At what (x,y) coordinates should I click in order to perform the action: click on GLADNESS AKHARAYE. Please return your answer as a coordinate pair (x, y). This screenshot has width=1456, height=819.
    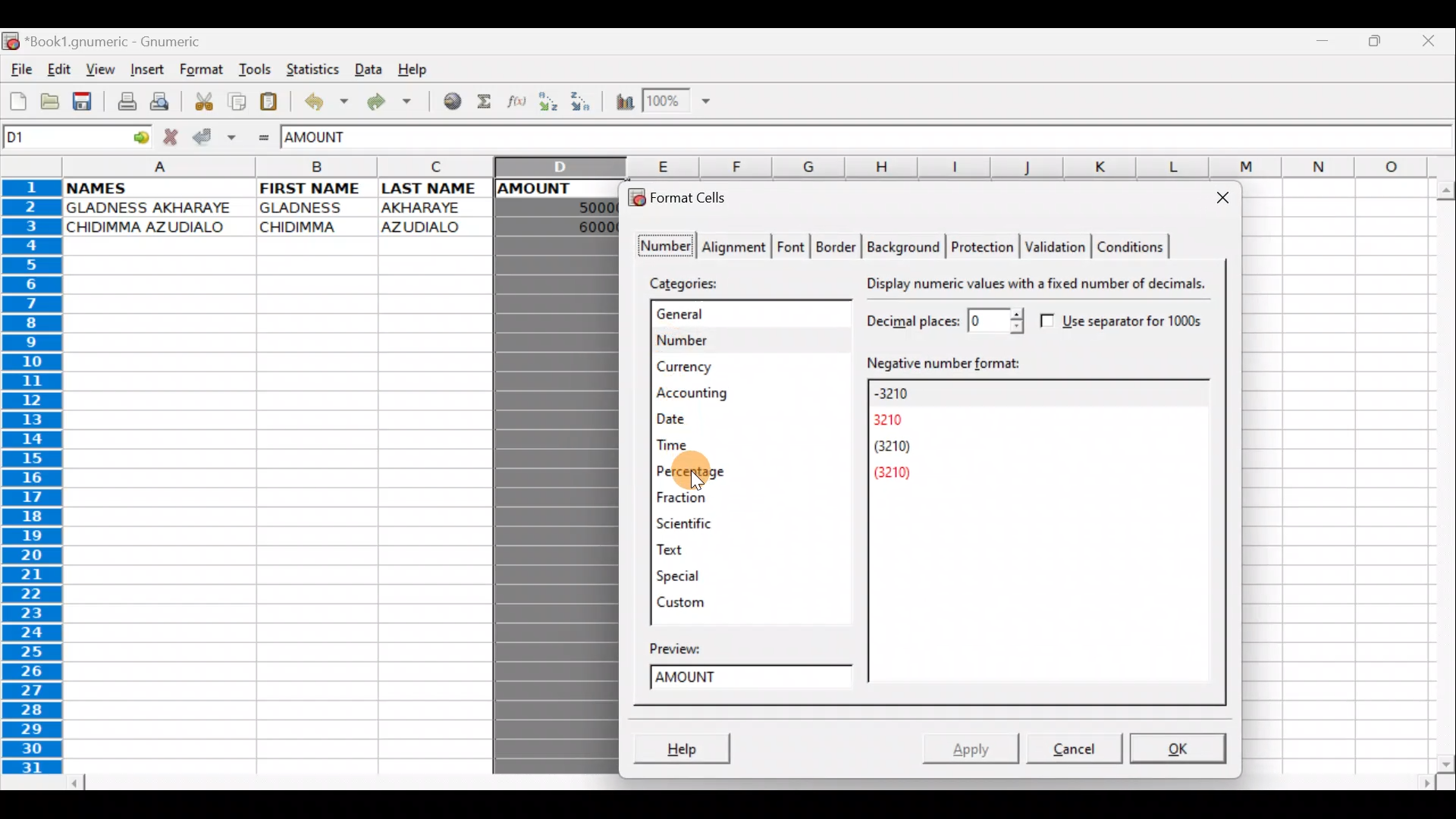
    Looking at the image, I should click on (155, 207).